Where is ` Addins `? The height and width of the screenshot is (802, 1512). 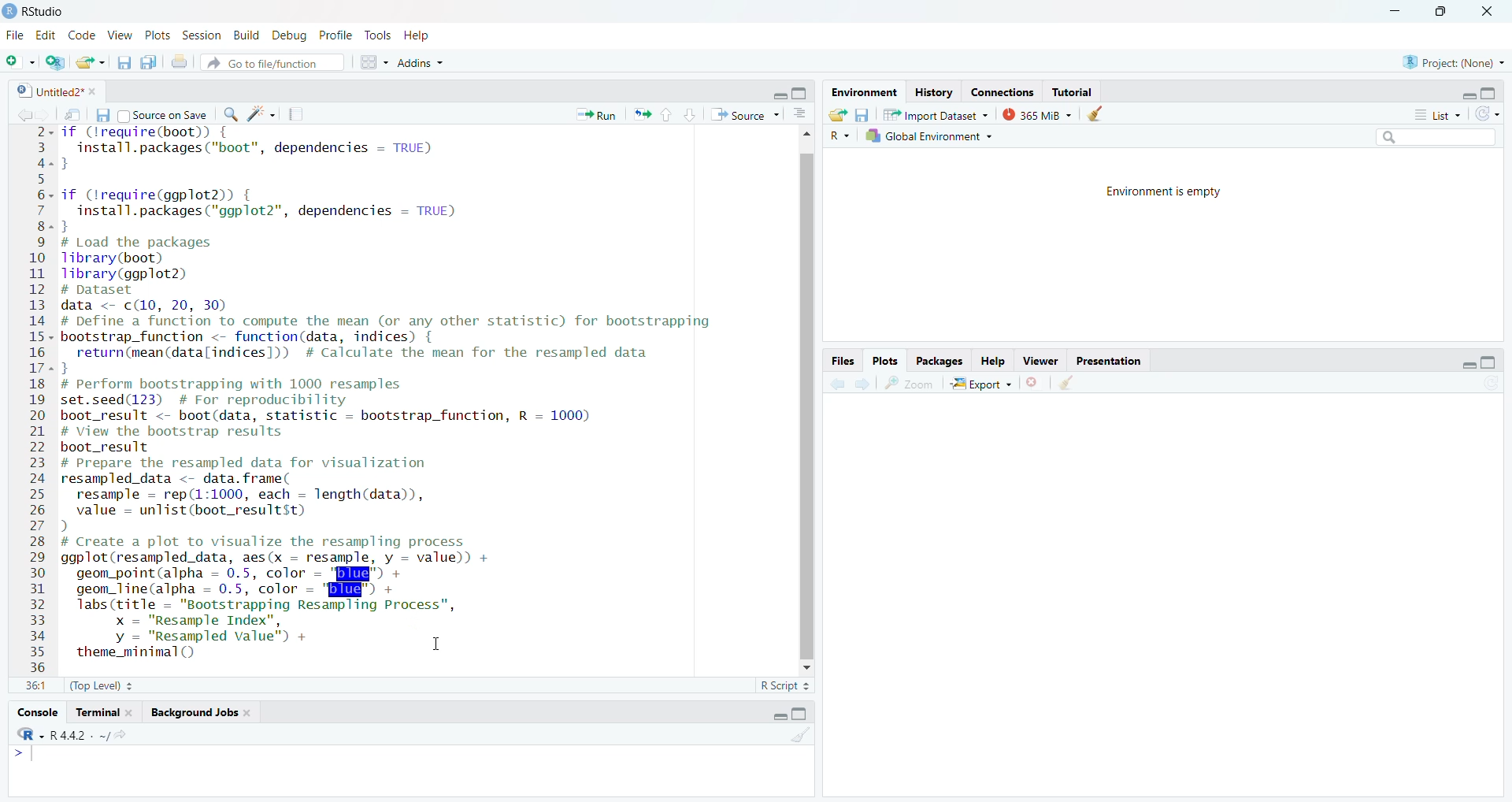
 Addins  is located at coordinates (423, 61).